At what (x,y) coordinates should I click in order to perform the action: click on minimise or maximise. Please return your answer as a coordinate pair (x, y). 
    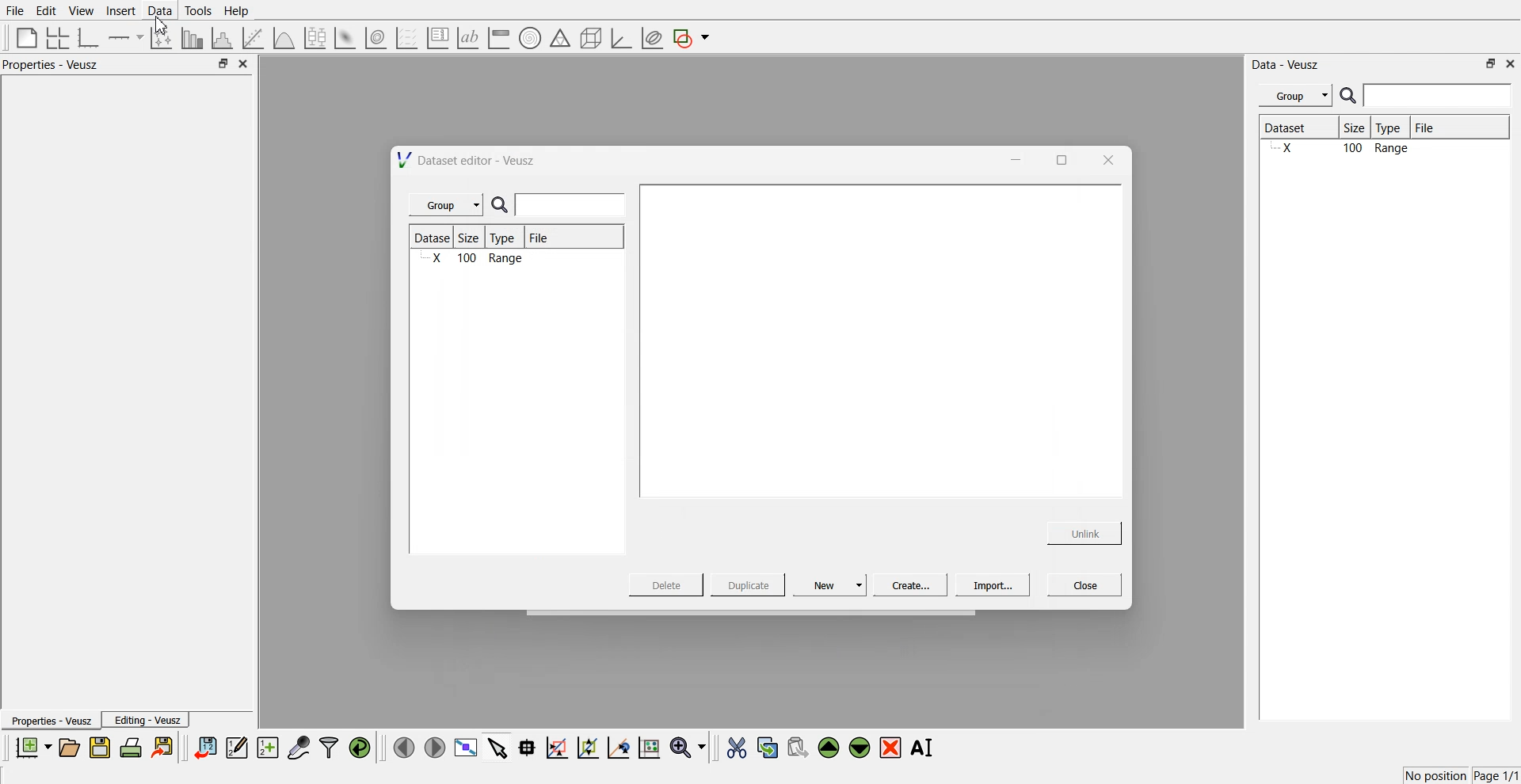
    Looking at the image, I should click on (1491, 63).